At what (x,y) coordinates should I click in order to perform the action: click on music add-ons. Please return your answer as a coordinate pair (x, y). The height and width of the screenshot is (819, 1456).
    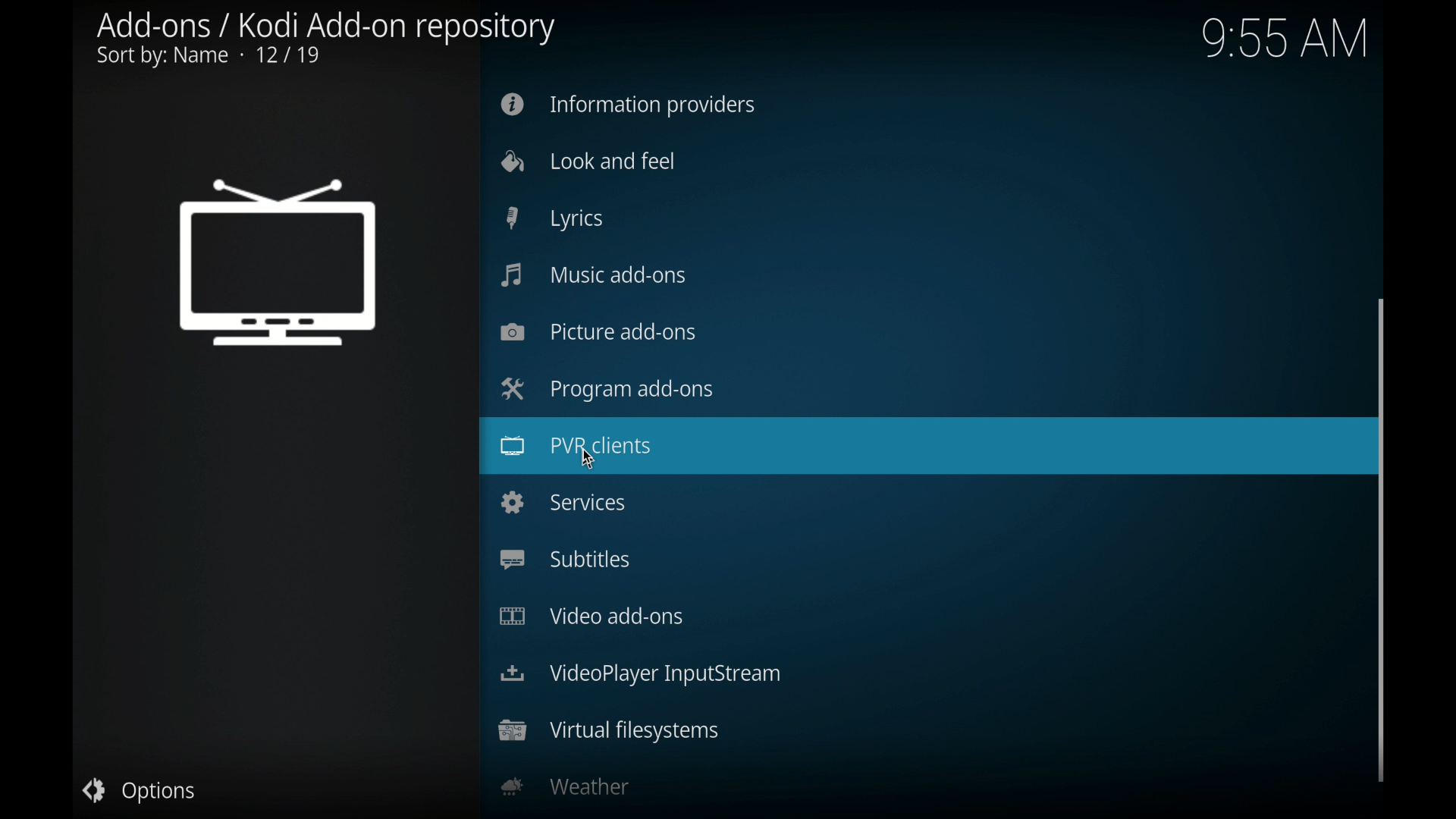
    Looking at the image, I should click on (593, 275).